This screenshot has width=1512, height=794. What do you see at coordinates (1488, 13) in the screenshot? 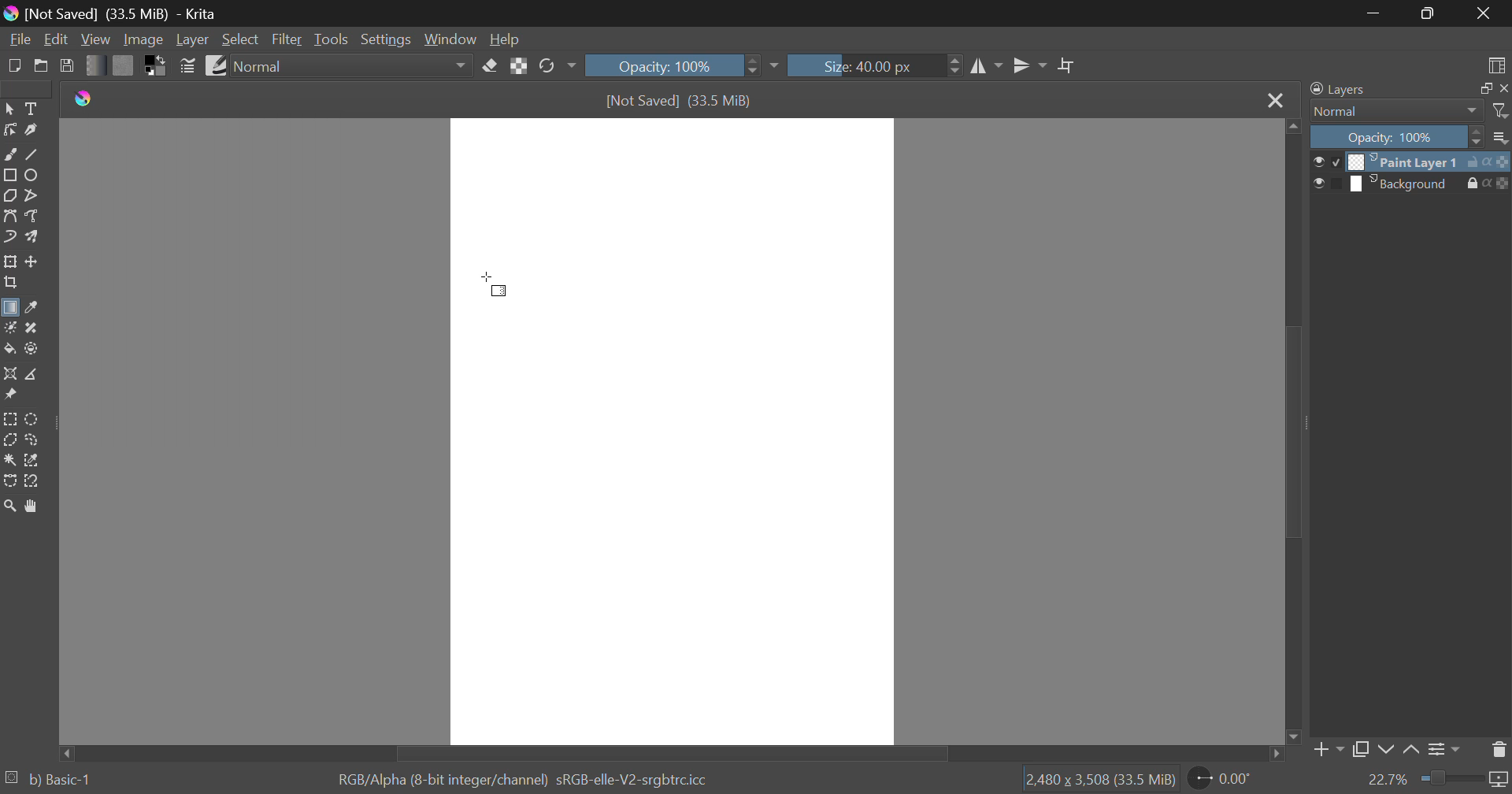
I see `Close` at bounding box center [1488, 13].